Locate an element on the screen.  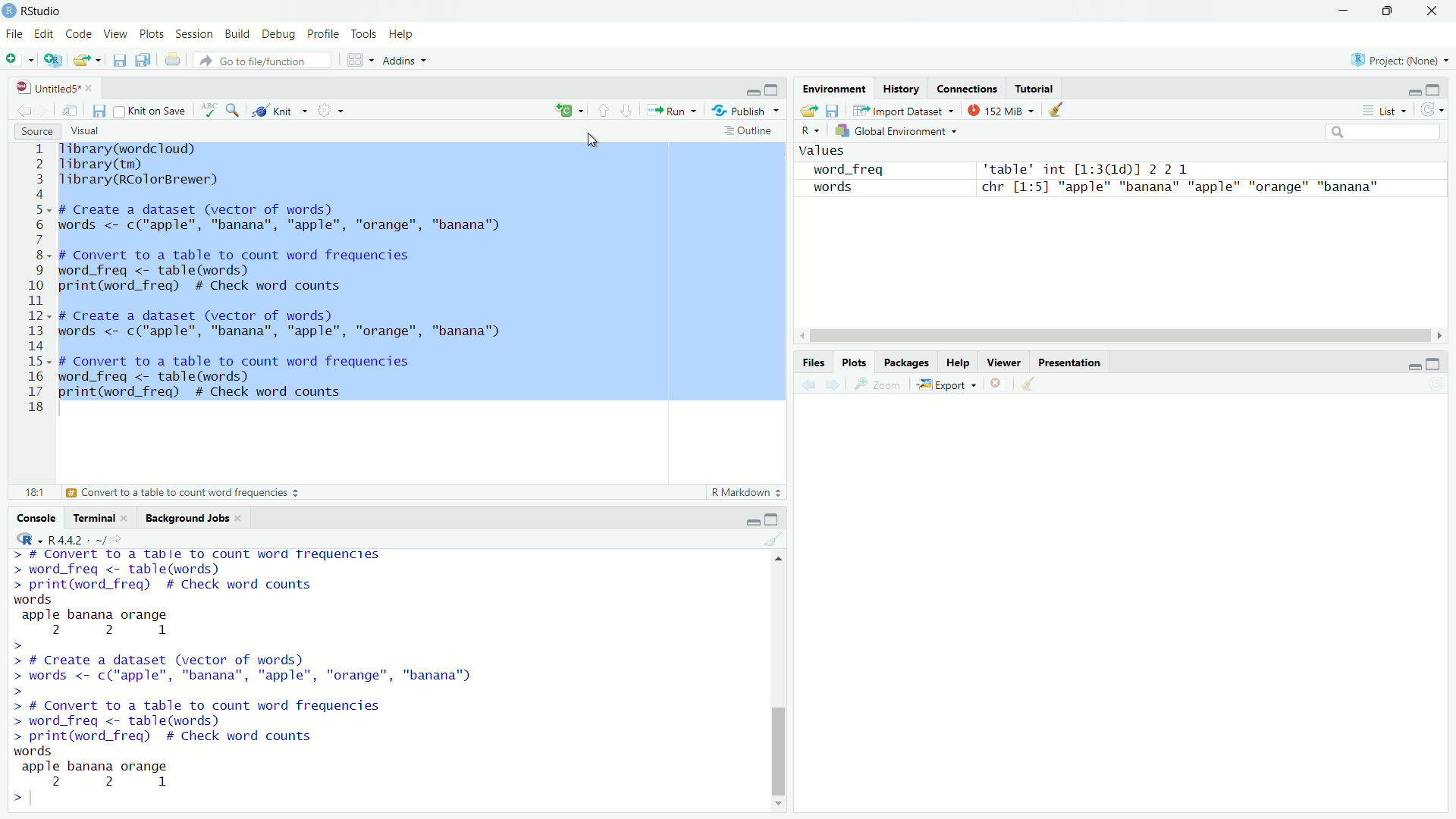
Save  is located at coordinates (833, 111).